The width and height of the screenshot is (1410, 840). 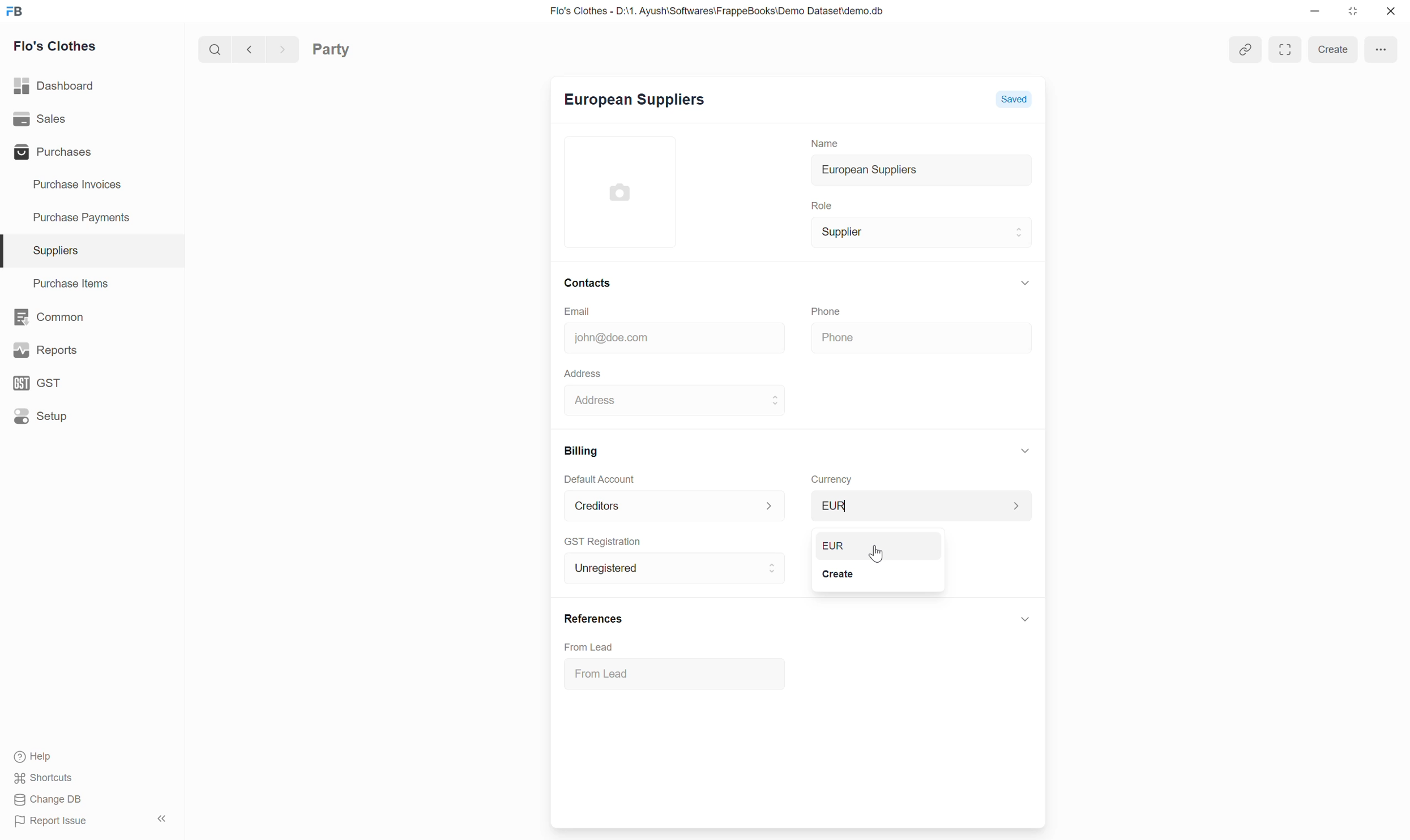 I want to click on create, so click(x=1330, y=49).